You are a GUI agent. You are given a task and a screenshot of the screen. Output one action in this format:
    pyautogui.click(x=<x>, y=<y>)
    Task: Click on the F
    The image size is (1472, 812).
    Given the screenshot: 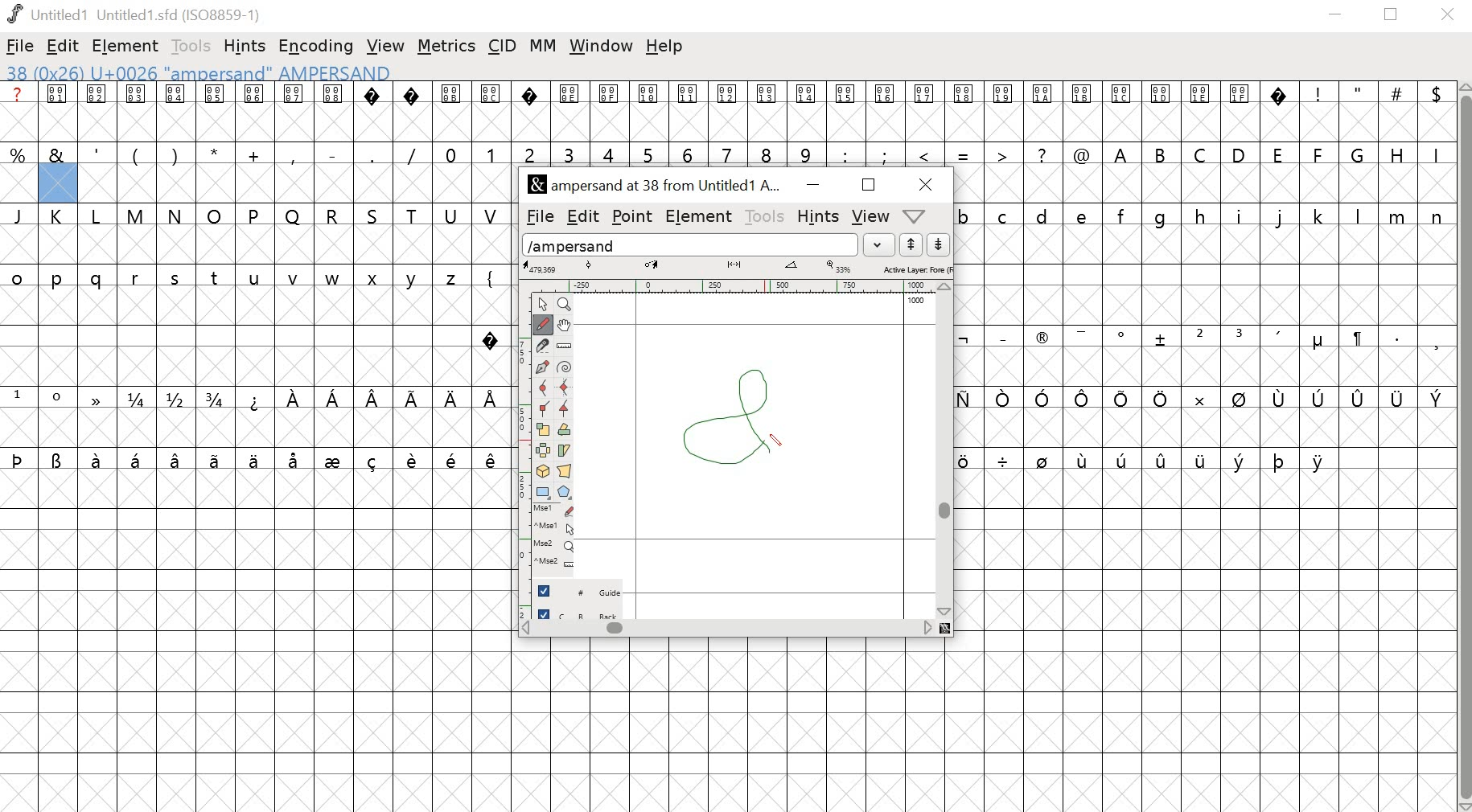 What is the action you would take?
    pyautogui.click(x=1320, y=154)
    